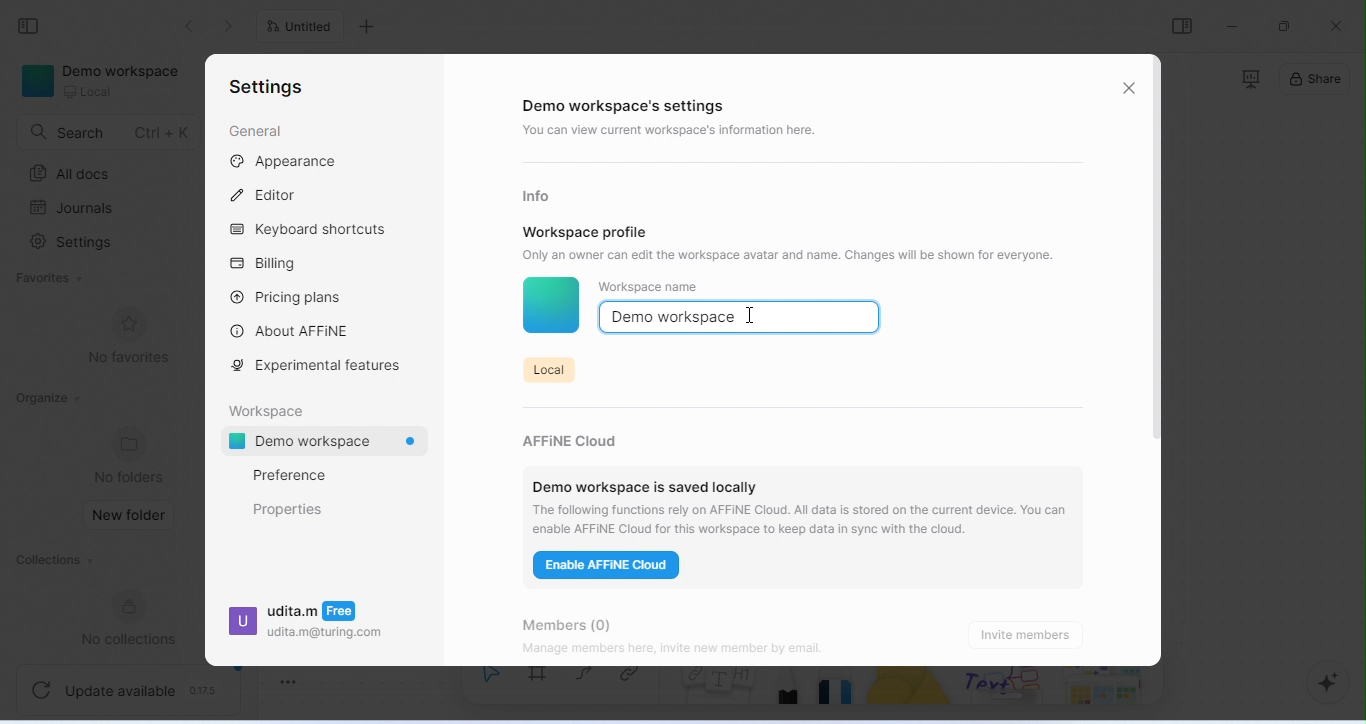 The image size is (1366, 724). I want to click on presentation, so click(1249, 79).